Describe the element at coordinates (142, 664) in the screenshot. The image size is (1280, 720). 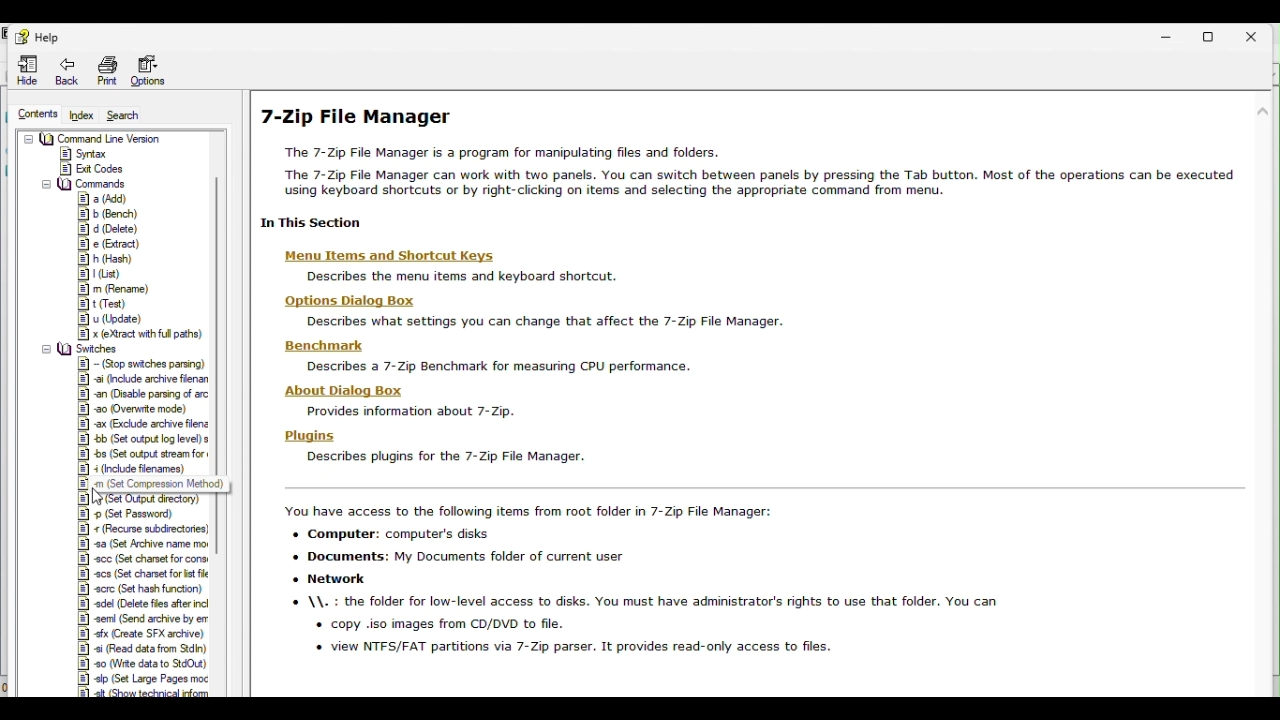
I see `so` at that location.